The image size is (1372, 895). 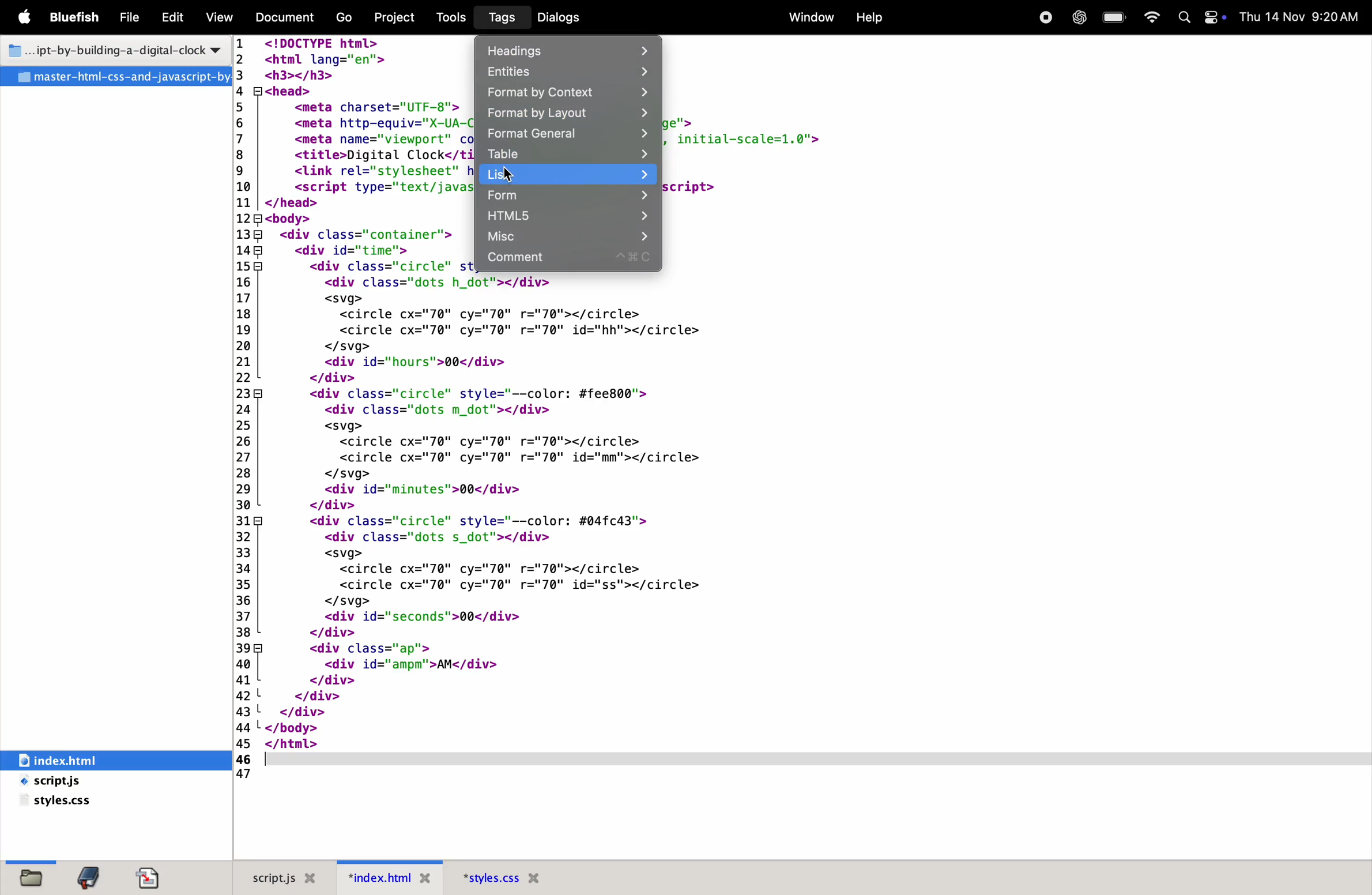 What do you see at coordinates (504, 513) in the screenshot?
I see `code block` at bounding box center [504, 513].